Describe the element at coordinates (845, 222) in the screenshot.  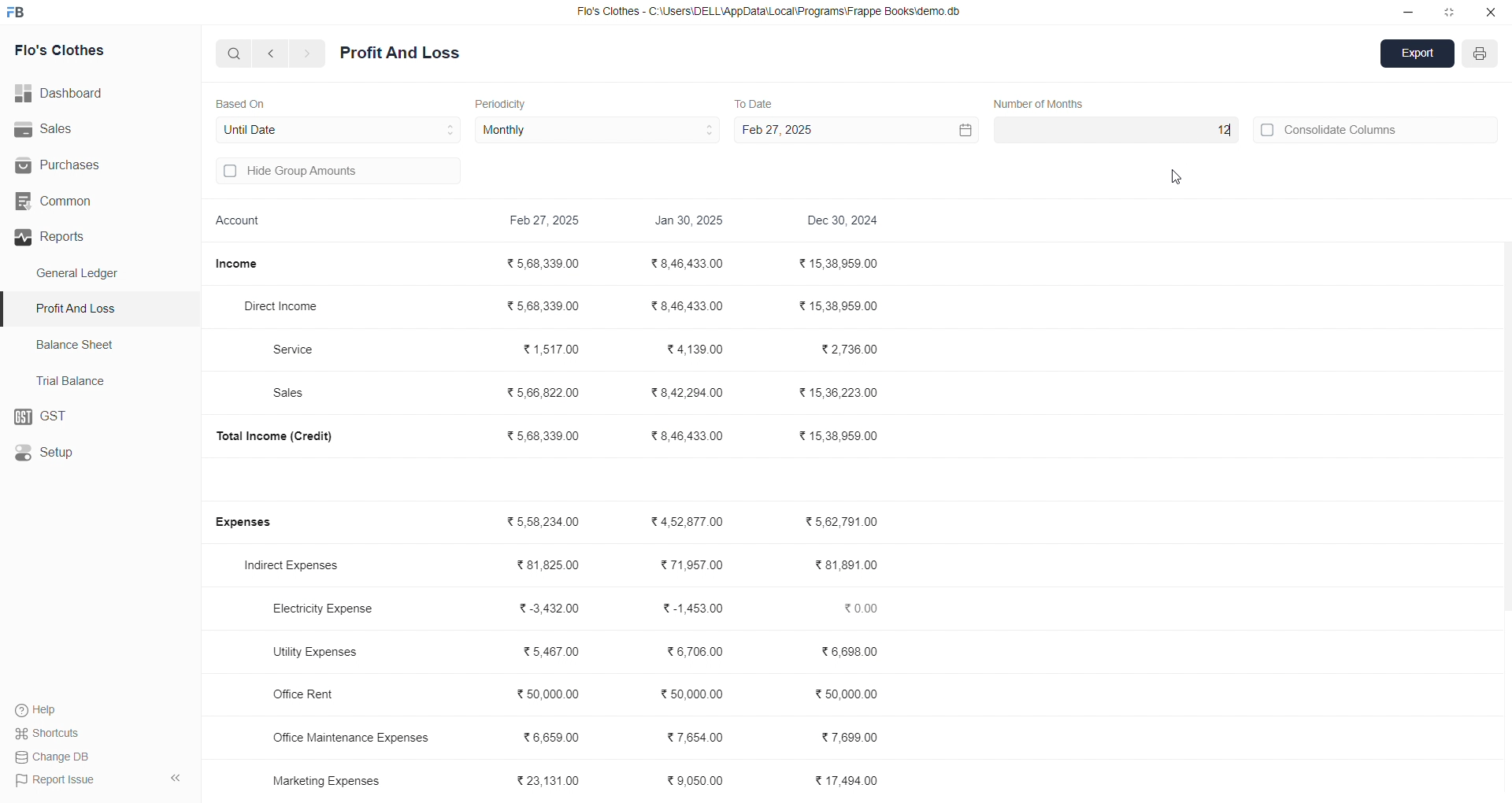
I see `Dec 30, 2024` at that location.